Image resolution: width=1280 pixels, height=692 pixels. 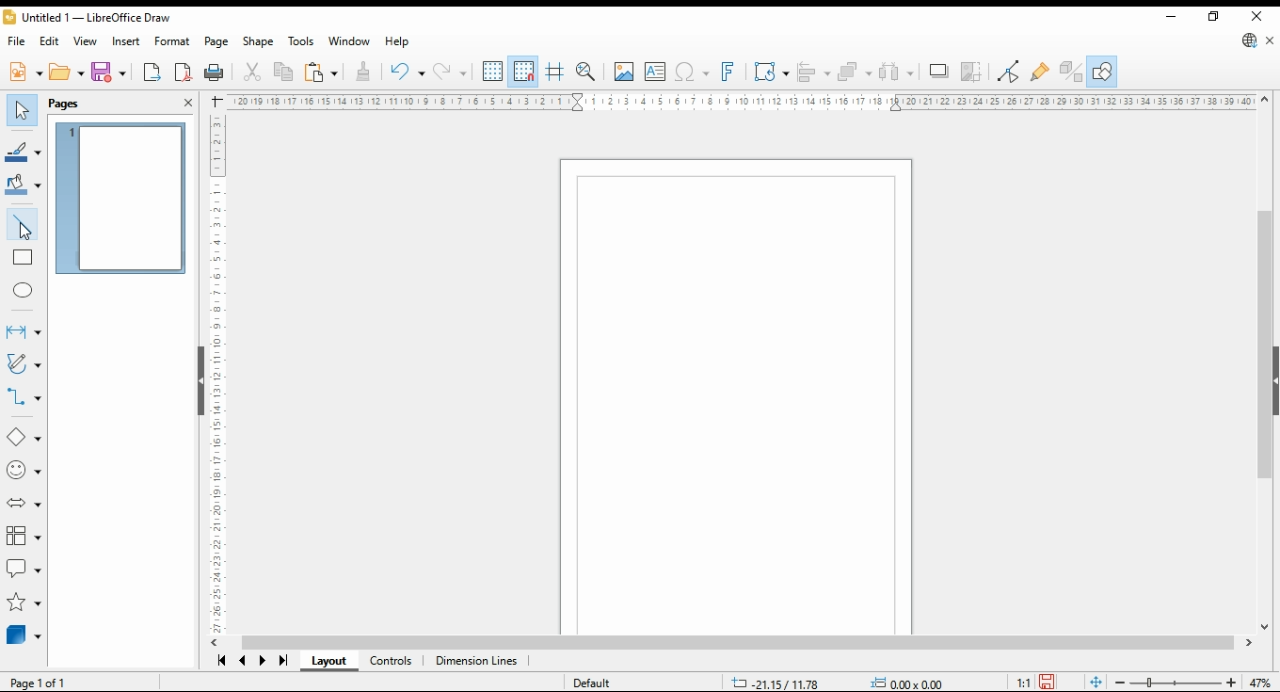 What do you see at coordinates (972, 71) in the screenshot?
I see `crop` at bounding box center [972, 71].